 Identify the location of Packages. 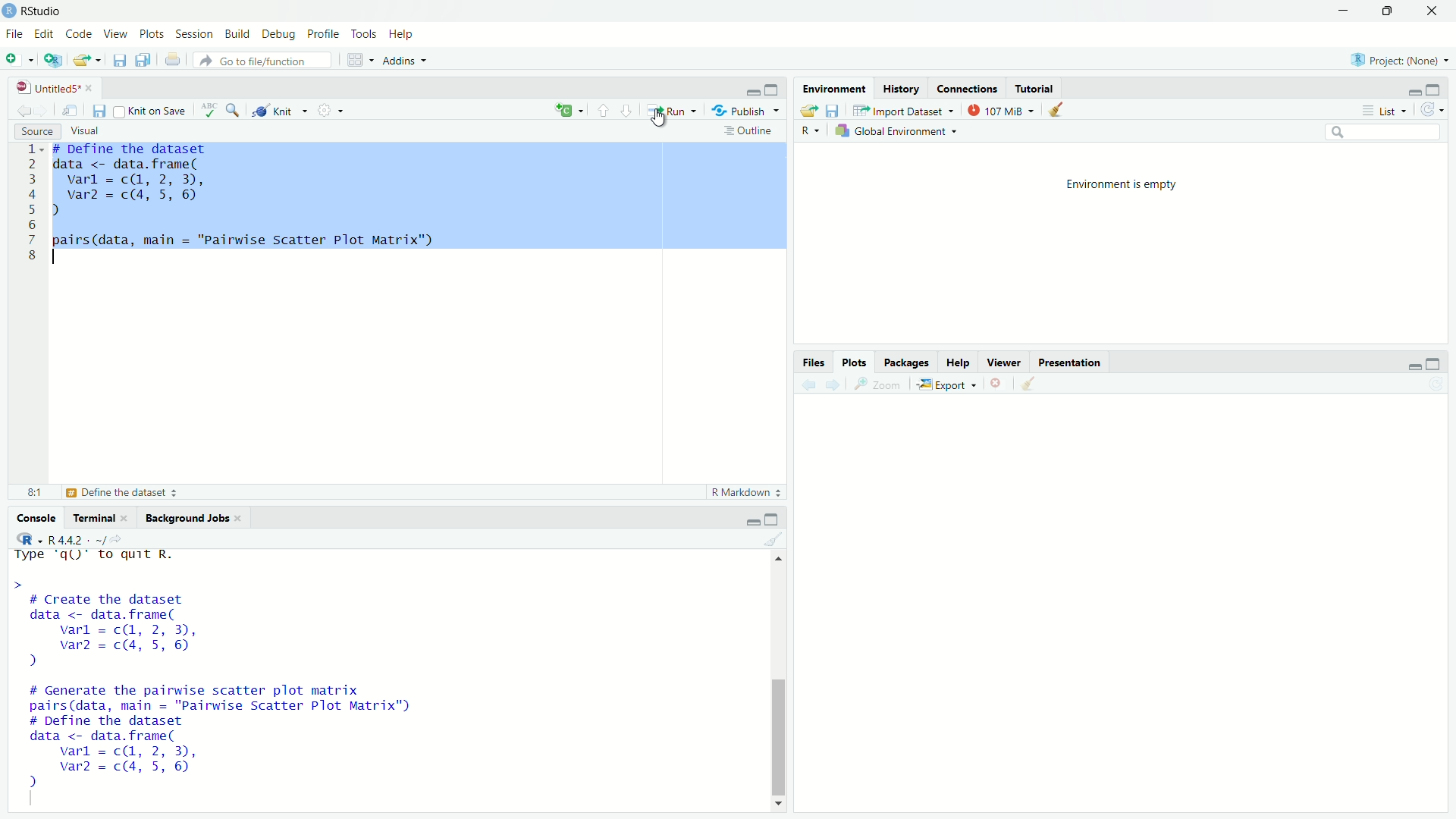
(908, 362).